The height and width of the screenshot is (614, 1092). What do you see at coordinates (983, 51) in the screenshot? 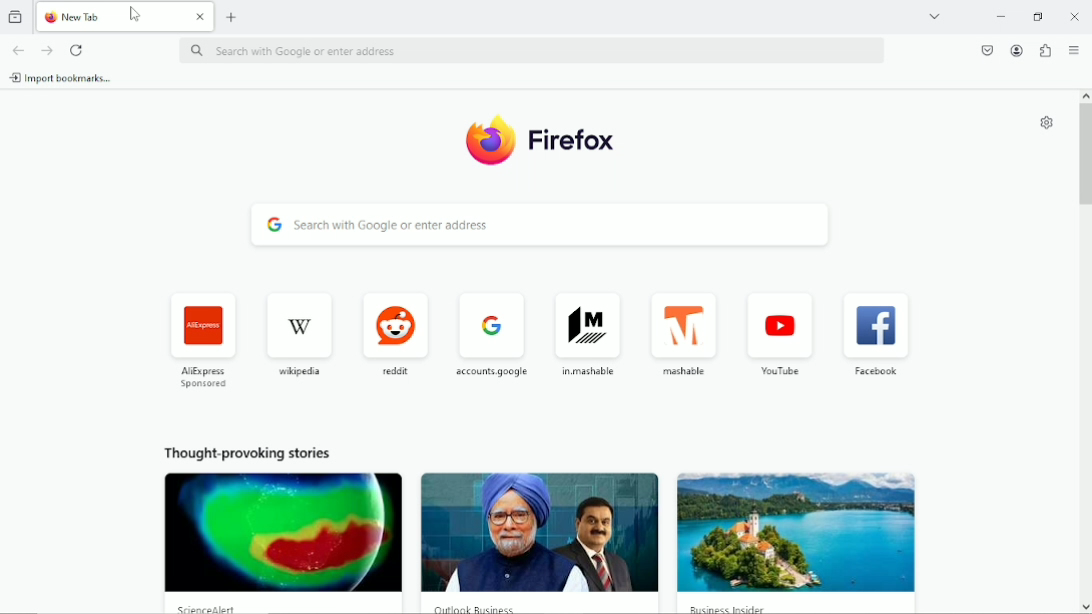
I see `Save to pocket` at bounding box center [983, 51].